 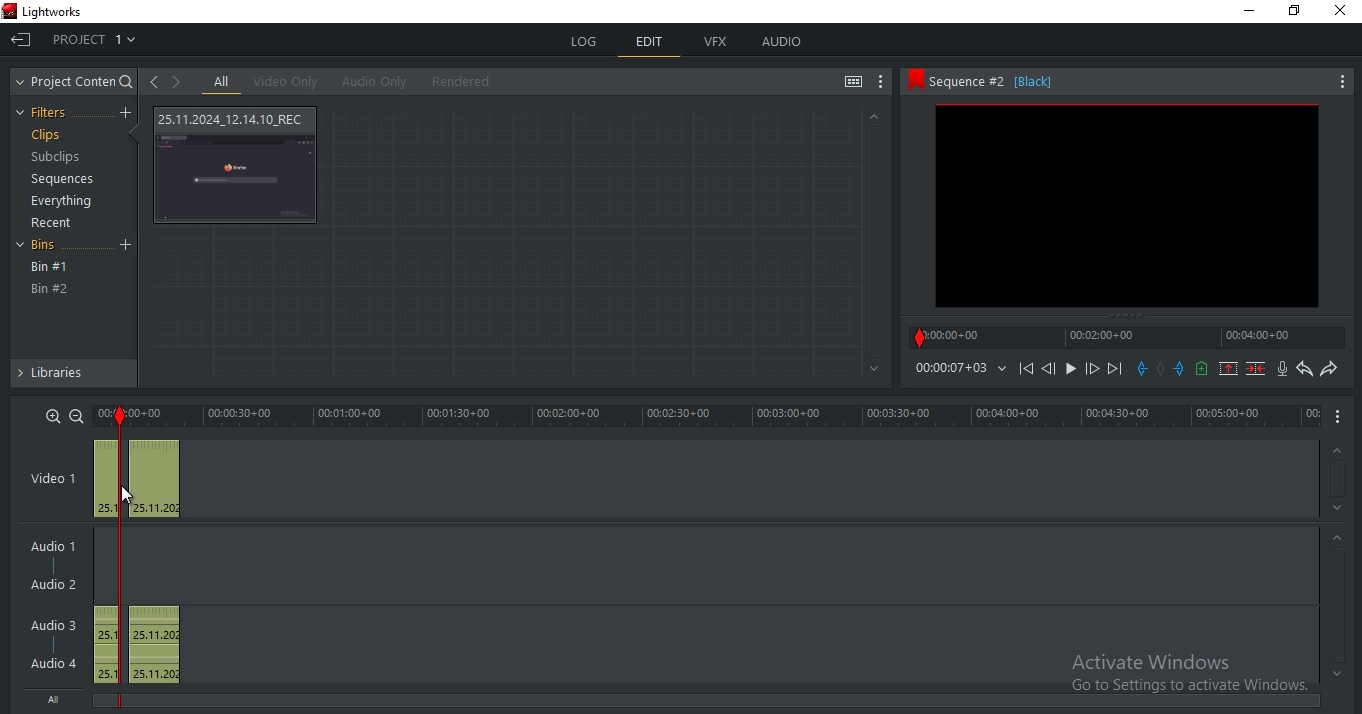 What do you see at coordinates (1105, 82) in the screenshot?
I see `sequence #2` at bounding box center [1105, 82].